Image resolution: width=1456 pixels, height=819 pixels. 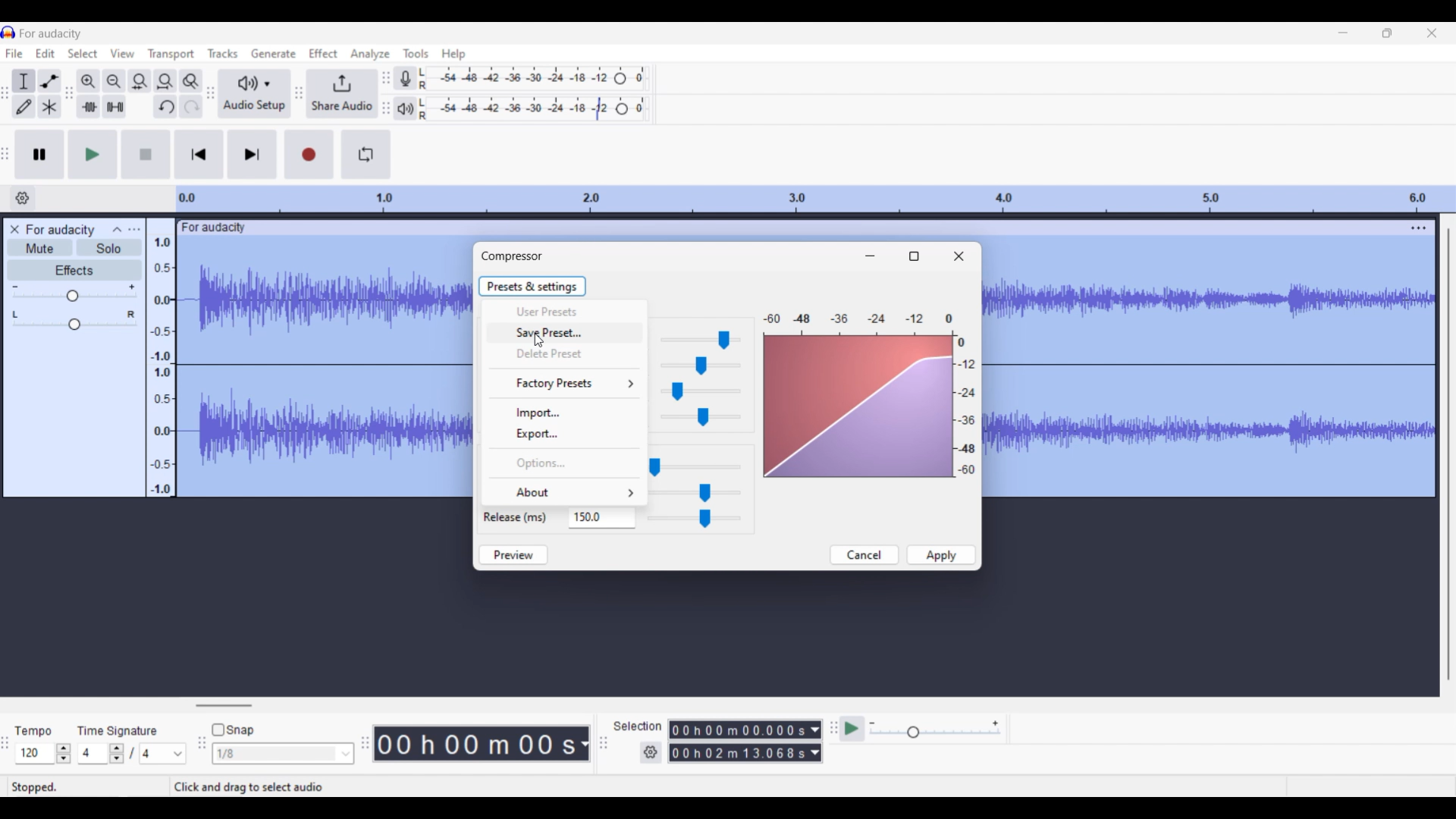 I want to click on Attack slider, so click(x=697, y=492).